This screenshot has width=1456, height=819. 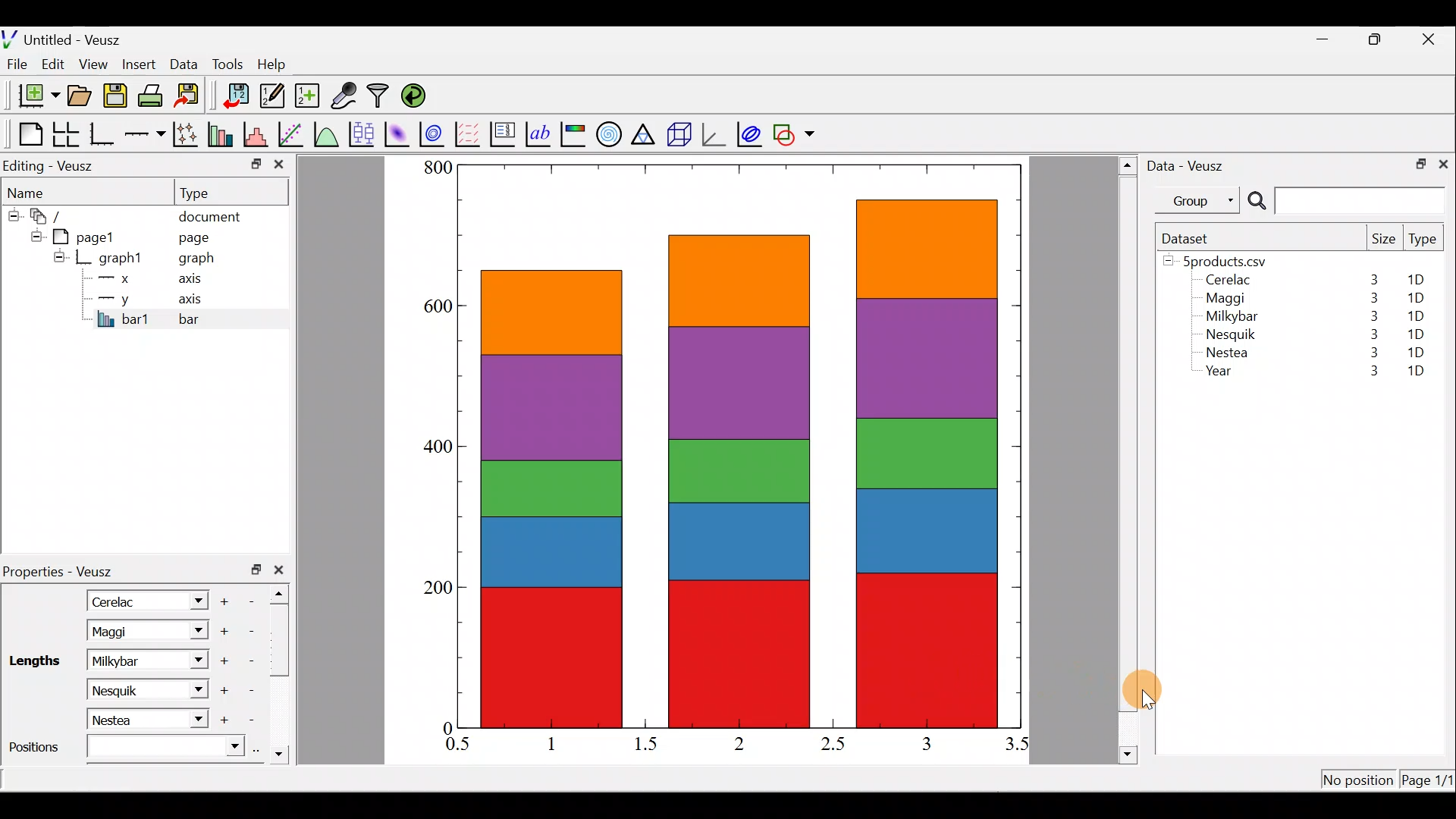 What do you see at coordinates (272, 96) in the screenshot?
I see `Edit and enter new datasets` at bounding box center [272, 96].